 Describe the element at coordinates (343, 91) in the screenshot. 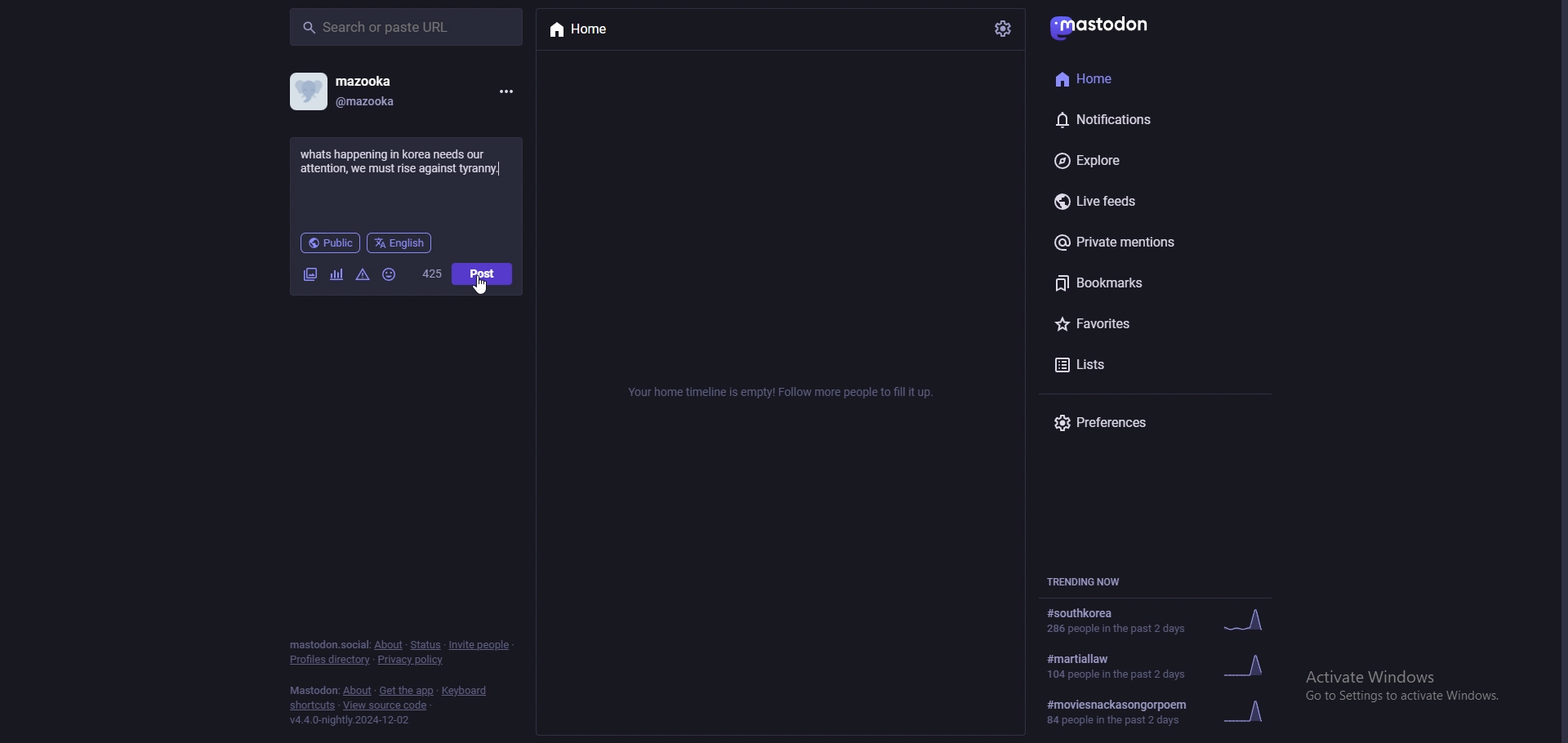

I see `profile` at that location.